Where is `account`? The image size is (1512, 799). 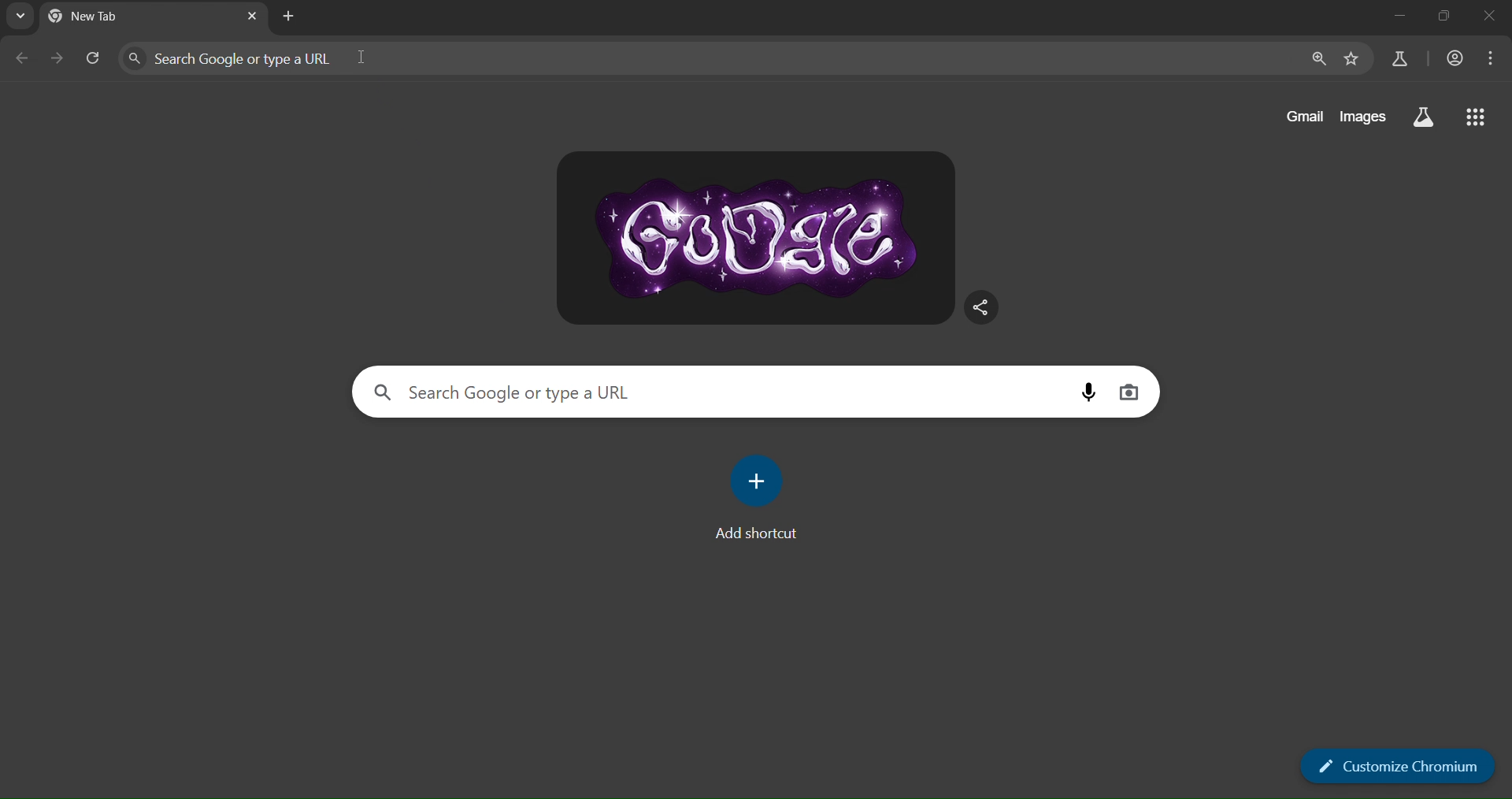
account is located at coordinates (1453, 58).